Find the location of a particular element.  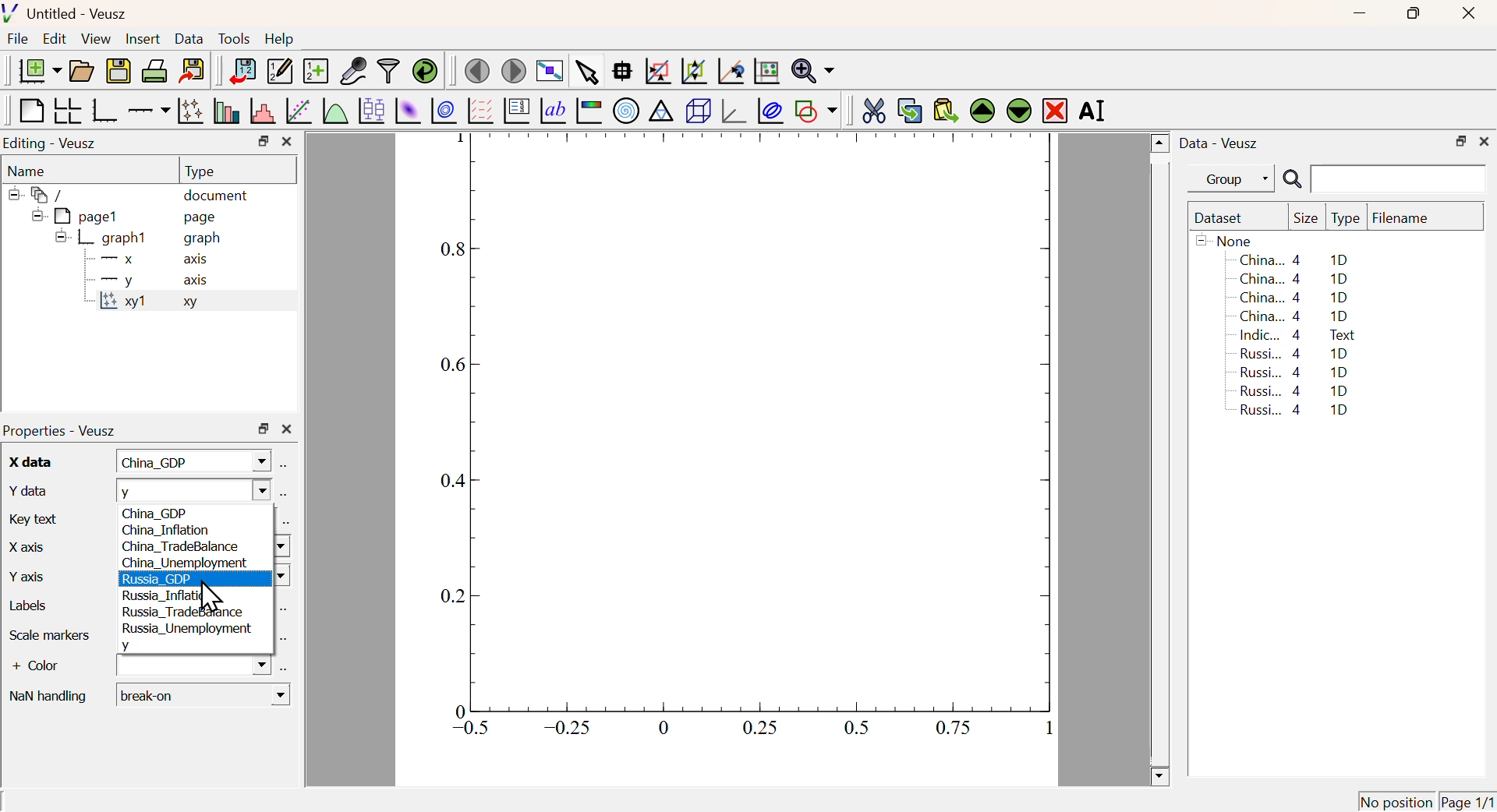

Create new dataset is located at coordinates (315, 72).